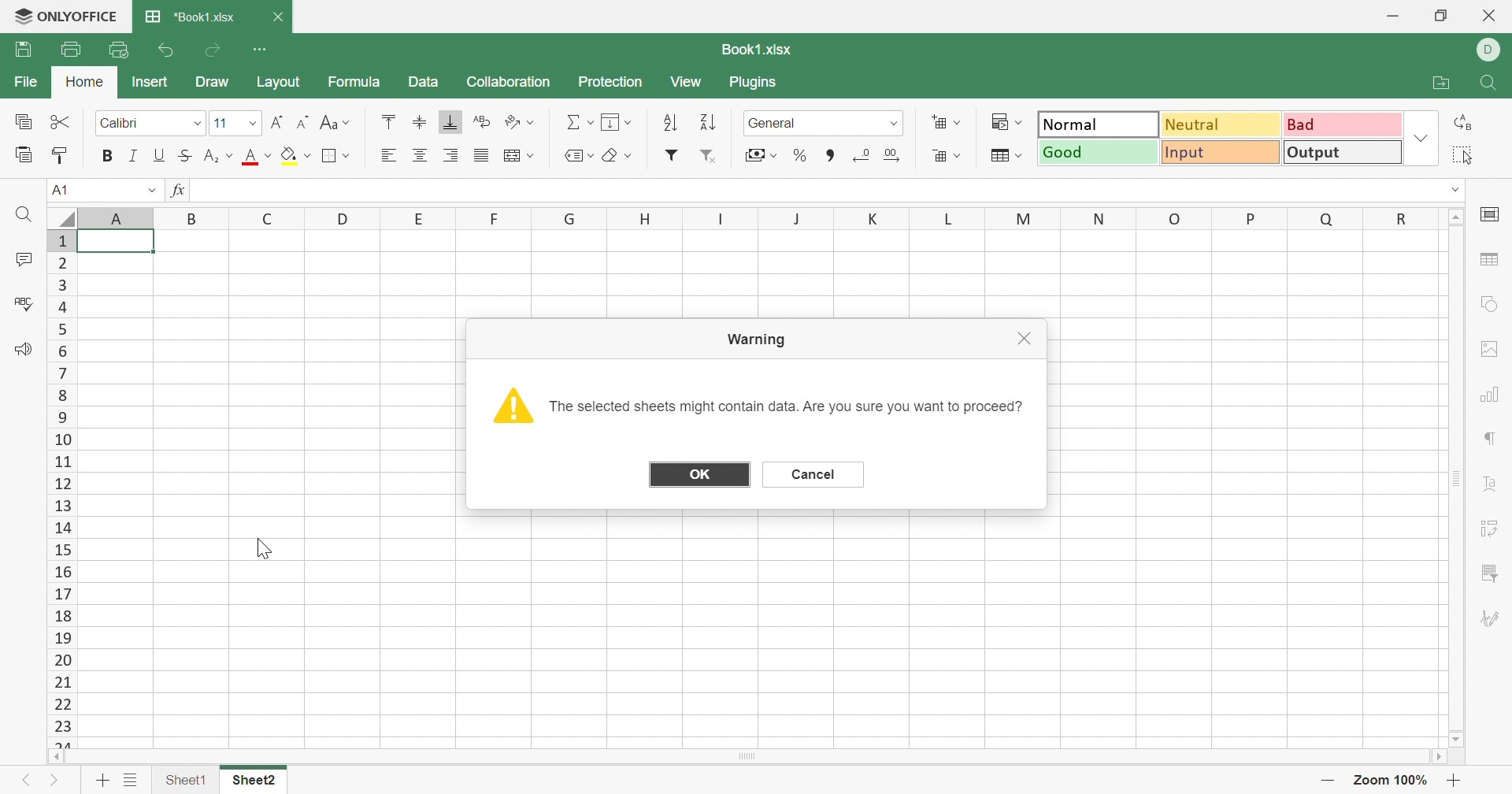 This screenshot has width=1512, height=794. Describe the element at coordinates (24, 303) in the screenshot. I see `Check Spelling` at that location.